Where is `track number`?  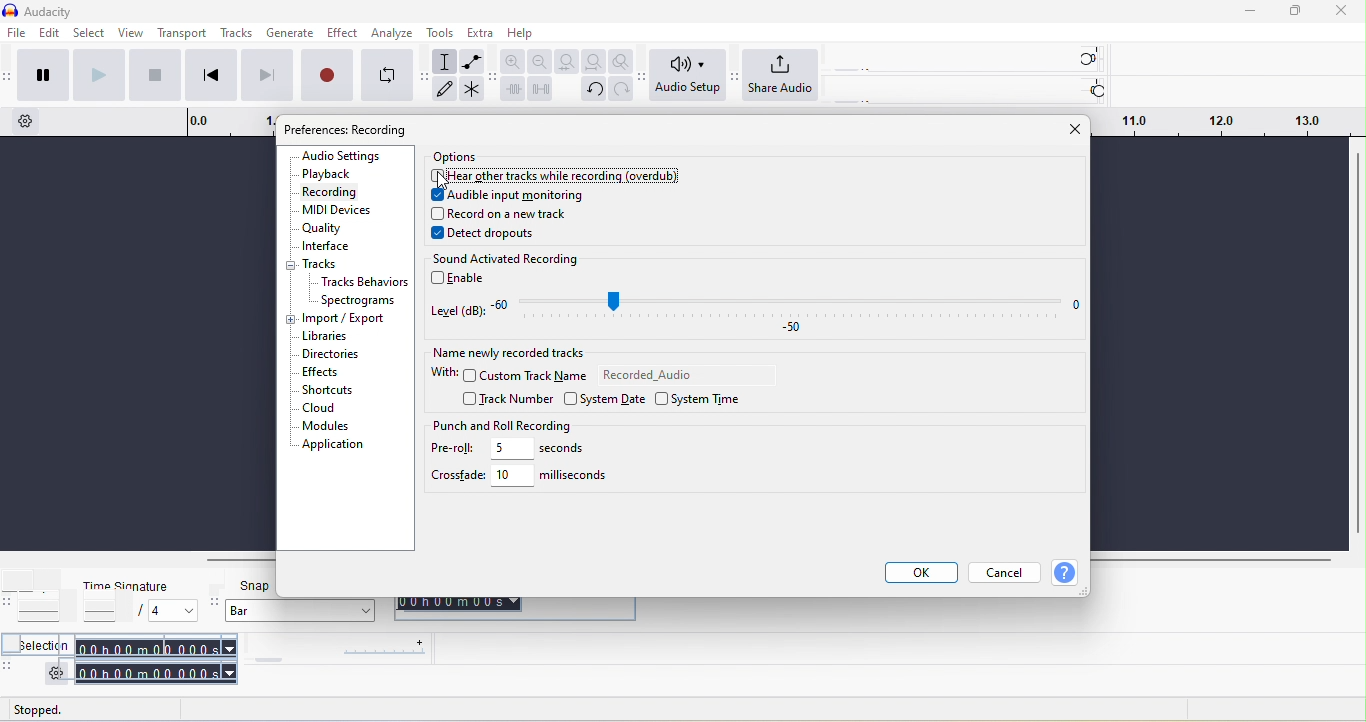 track number is located at coordinates (507, 399).